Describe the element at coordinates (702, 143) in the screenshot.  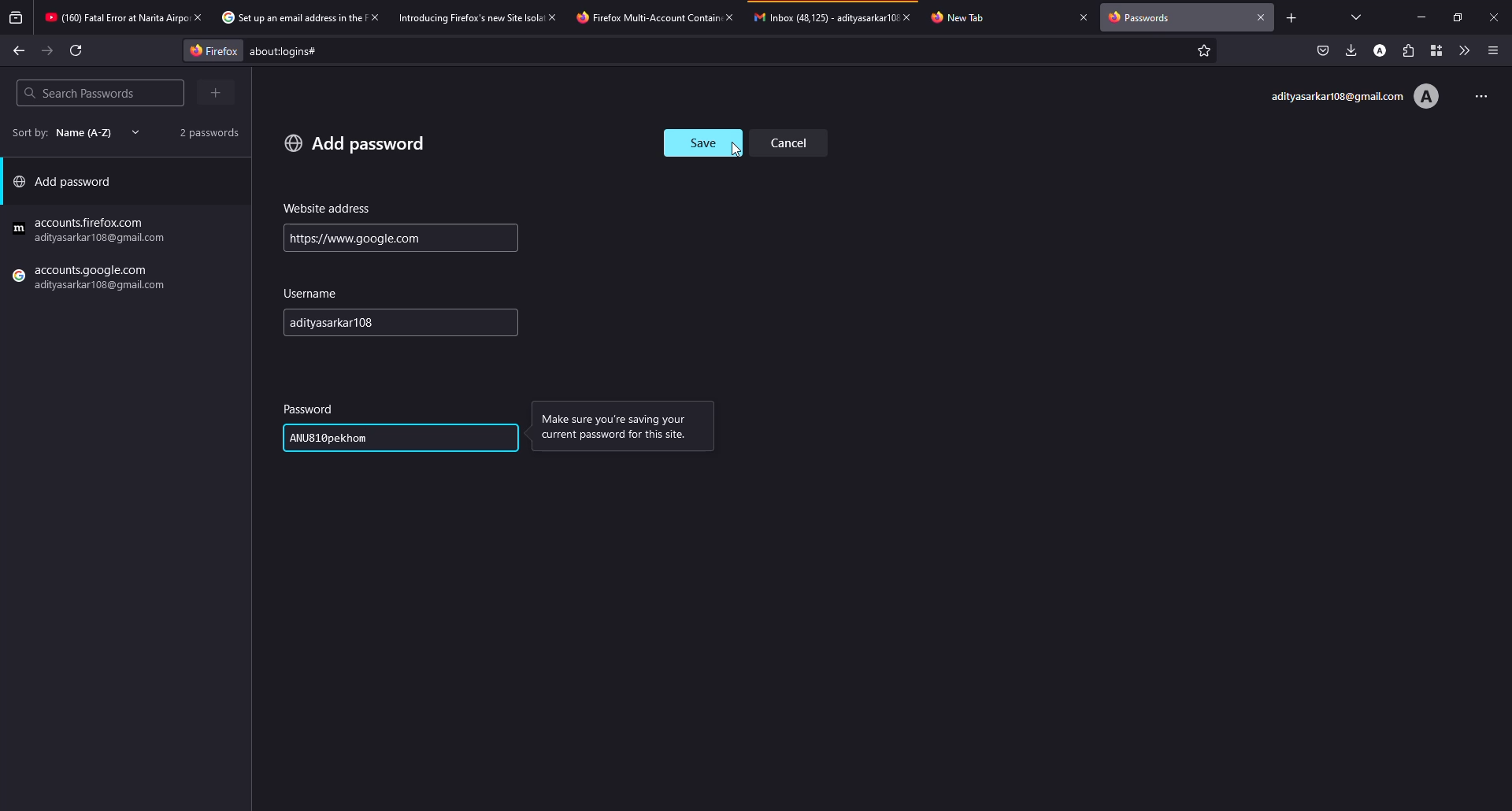
I see `save` at that location.